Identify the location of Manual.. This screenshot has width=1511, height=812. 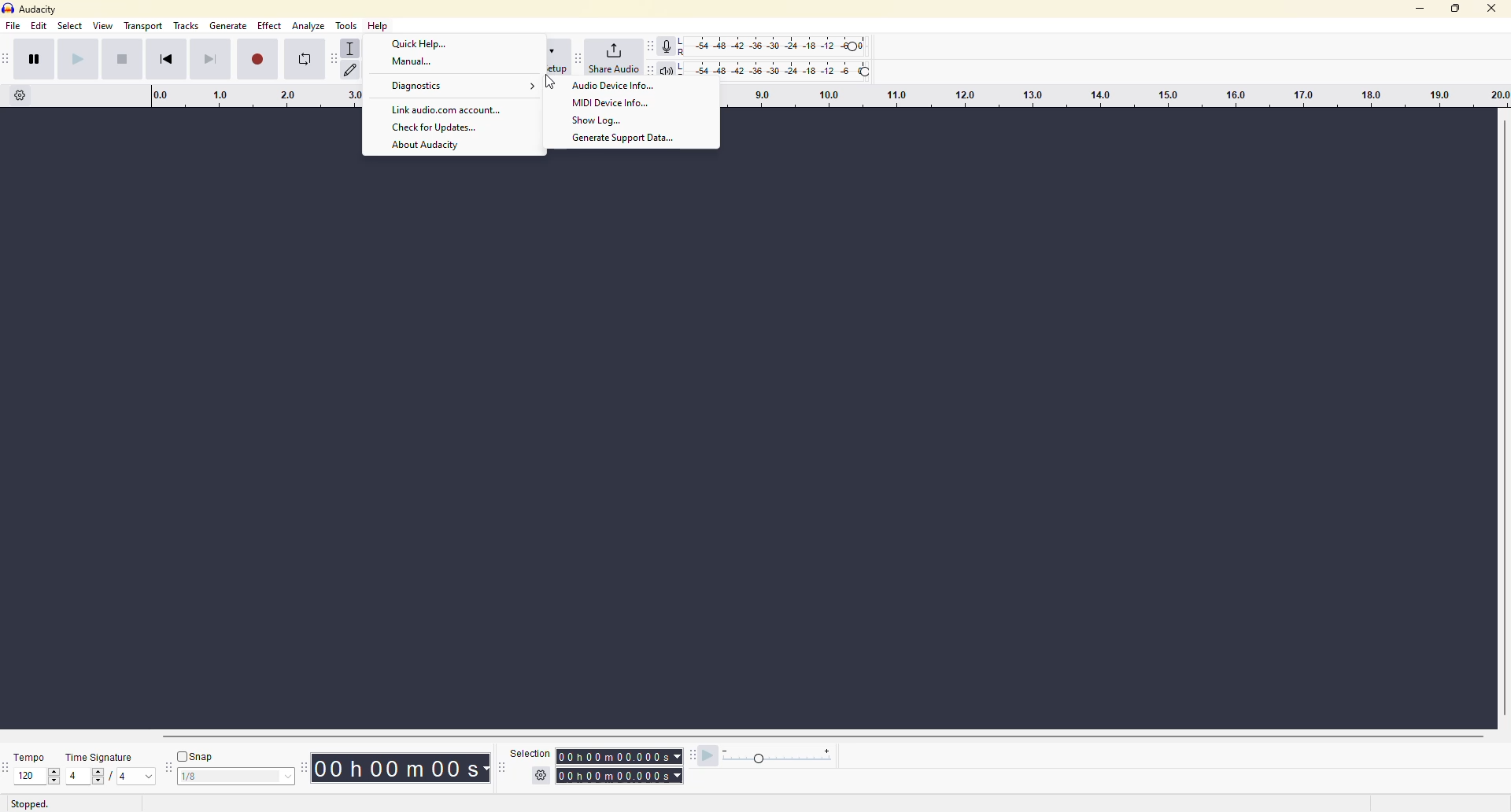
(412, 64).